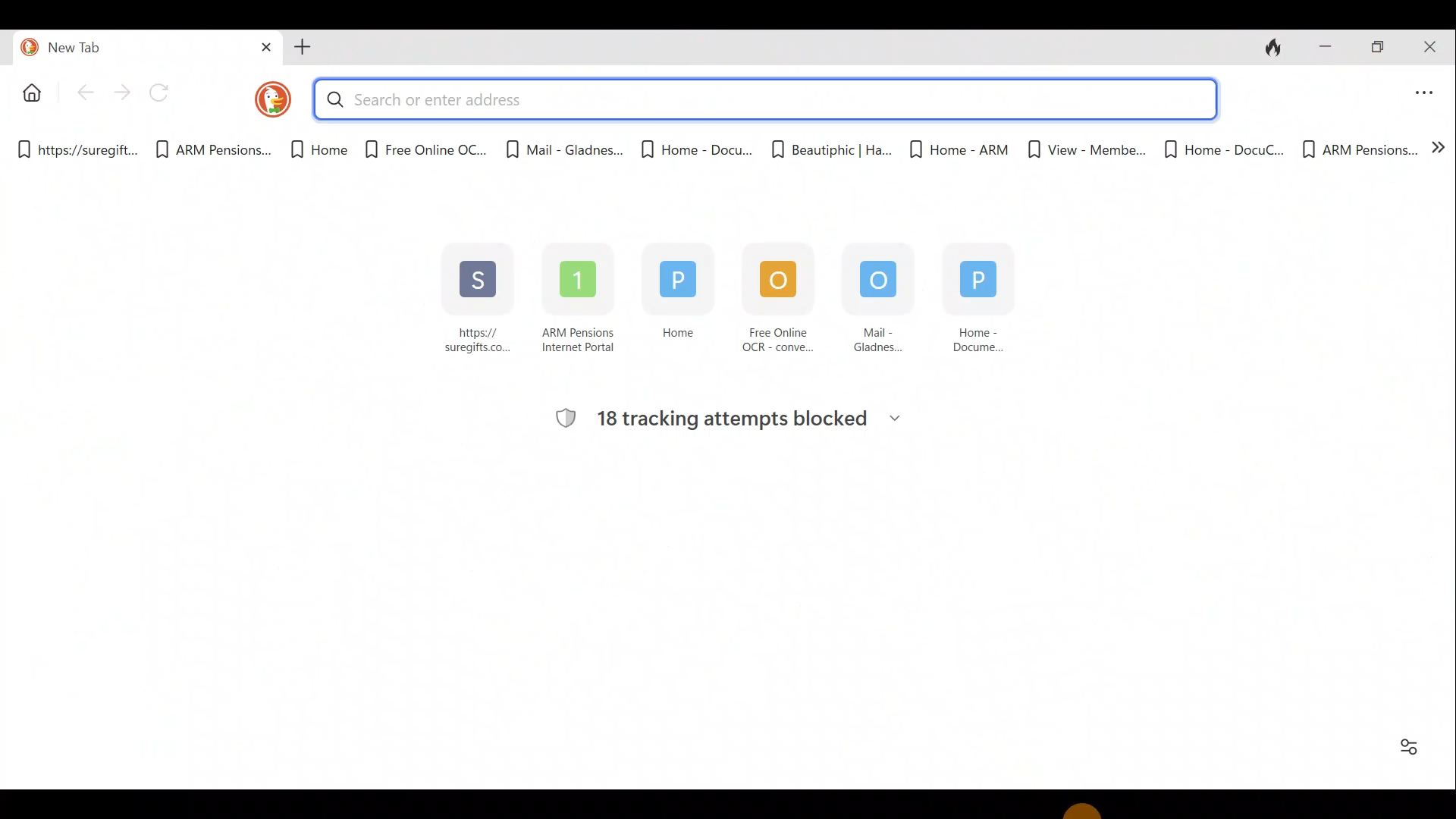 Image resolution: width=1456 pixels, height=819 pixels. What do you see at coordinates (28, 91) in the screenshot?
I see `Home` at bounding box center [28, 91].